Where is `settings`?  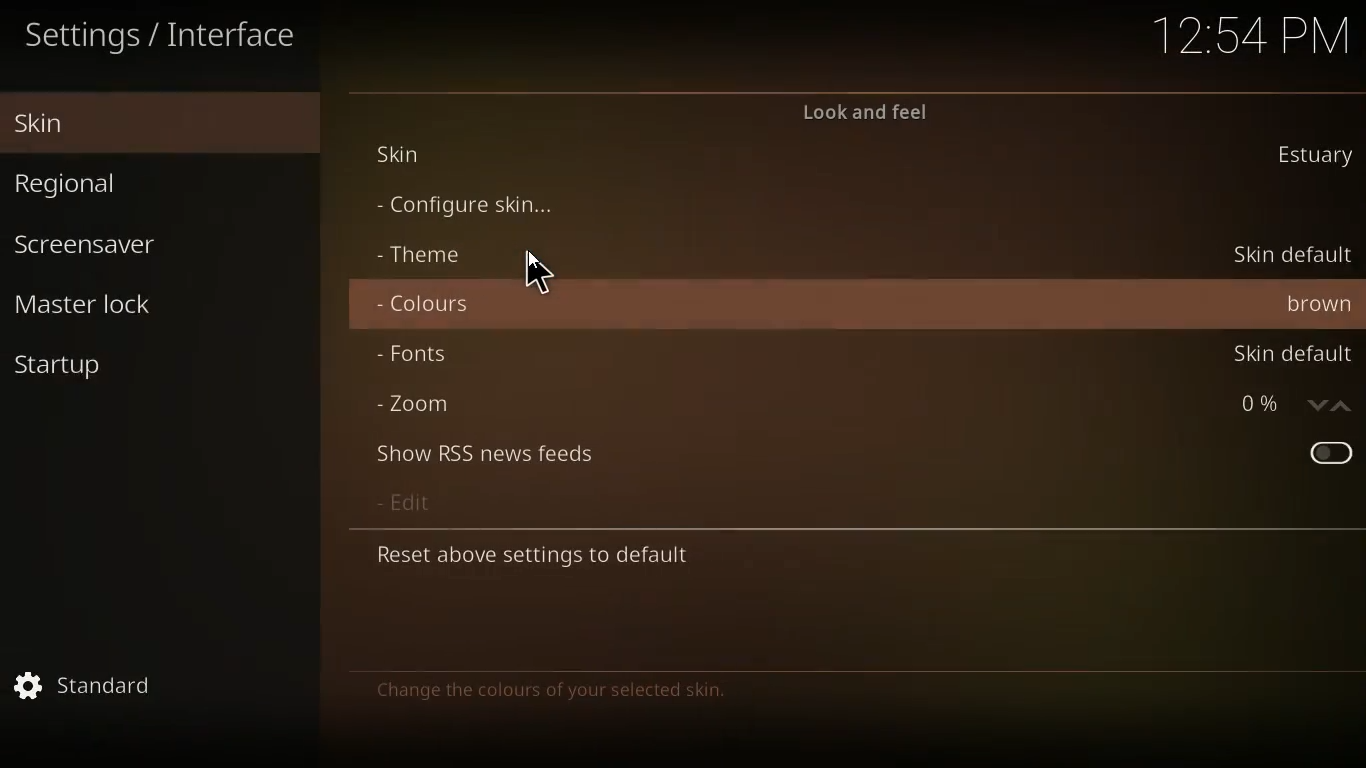 settings is located at coordinates (166, 37).